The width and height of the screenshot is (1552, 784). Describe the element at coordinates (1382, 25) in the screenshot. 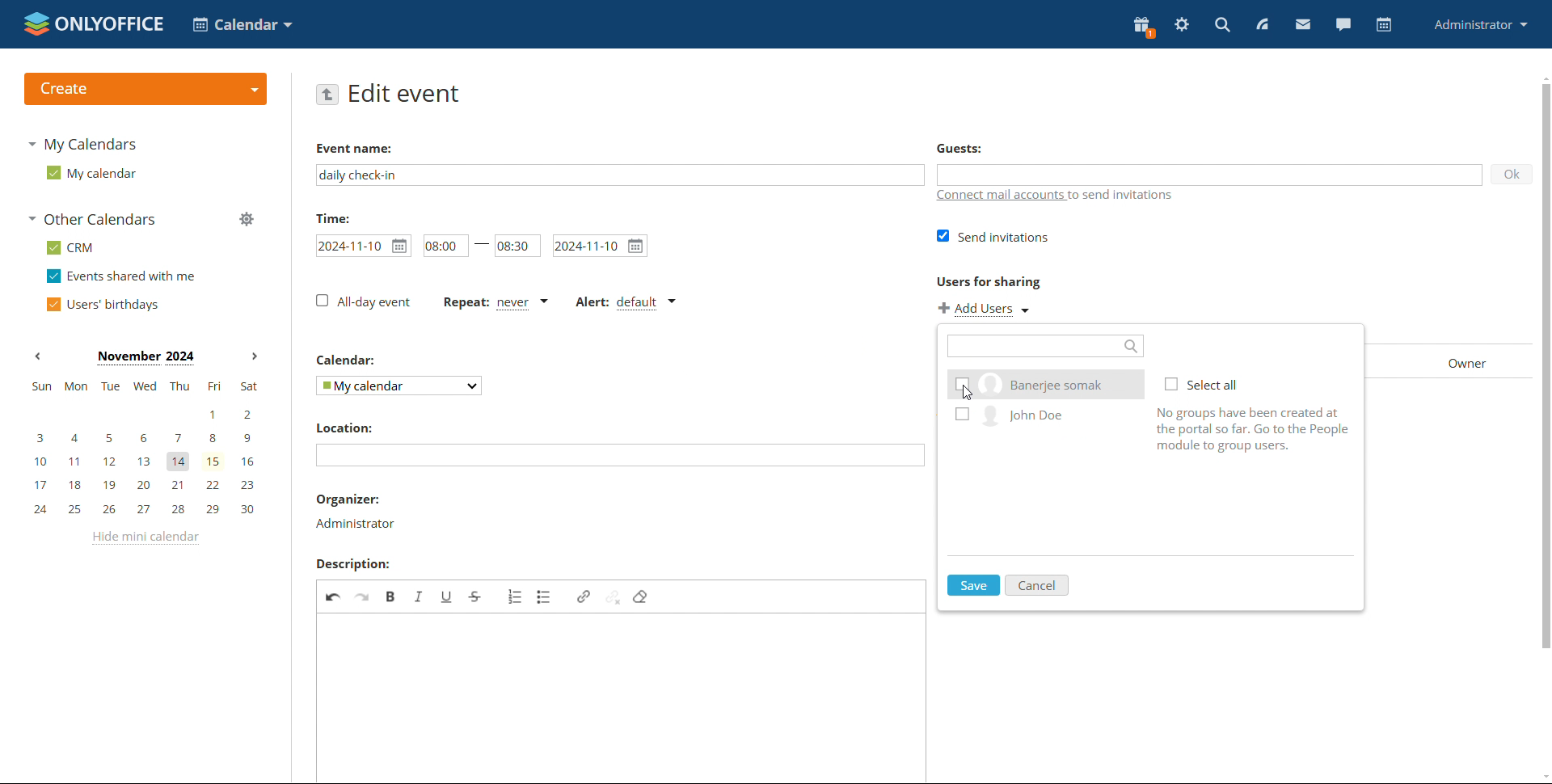

I see `calendar` at that location.